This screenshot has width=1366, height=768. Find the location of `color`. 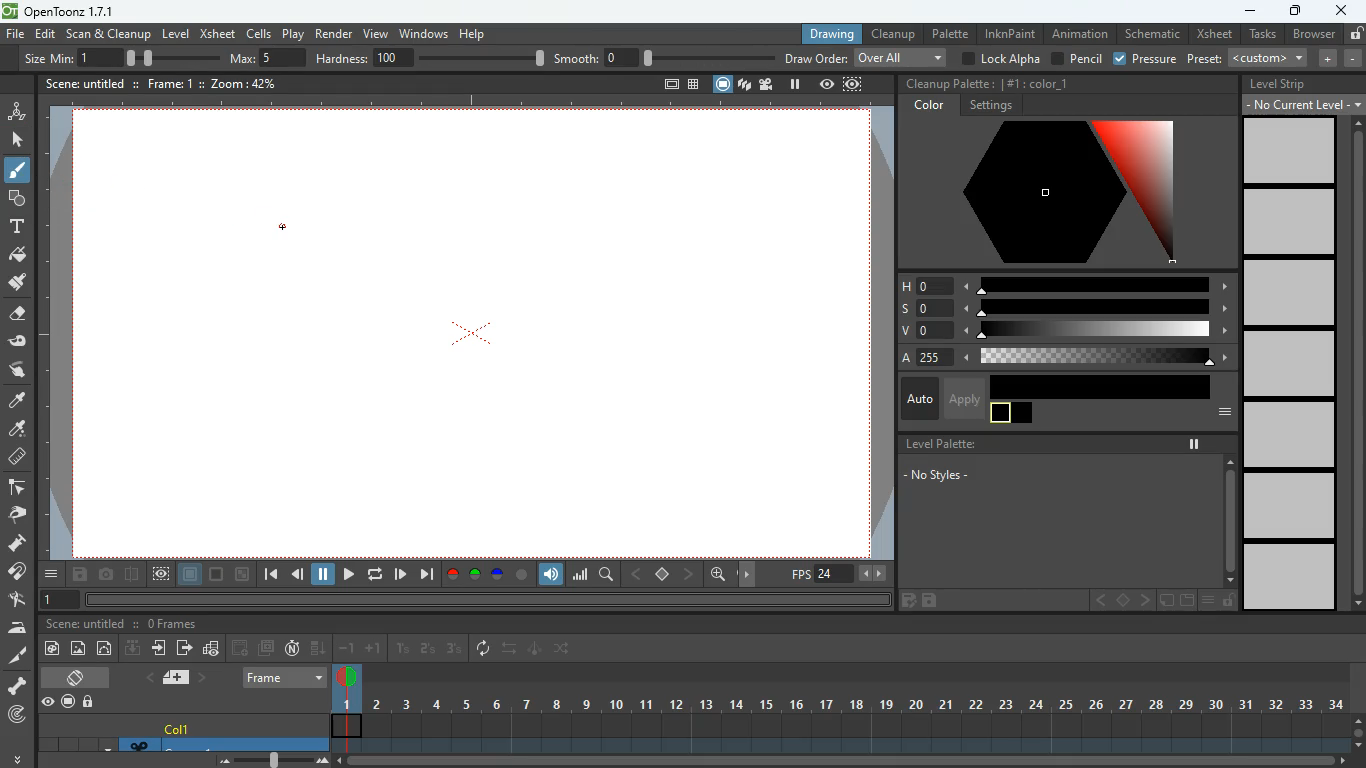

color is located at coordinates (1012, 414).